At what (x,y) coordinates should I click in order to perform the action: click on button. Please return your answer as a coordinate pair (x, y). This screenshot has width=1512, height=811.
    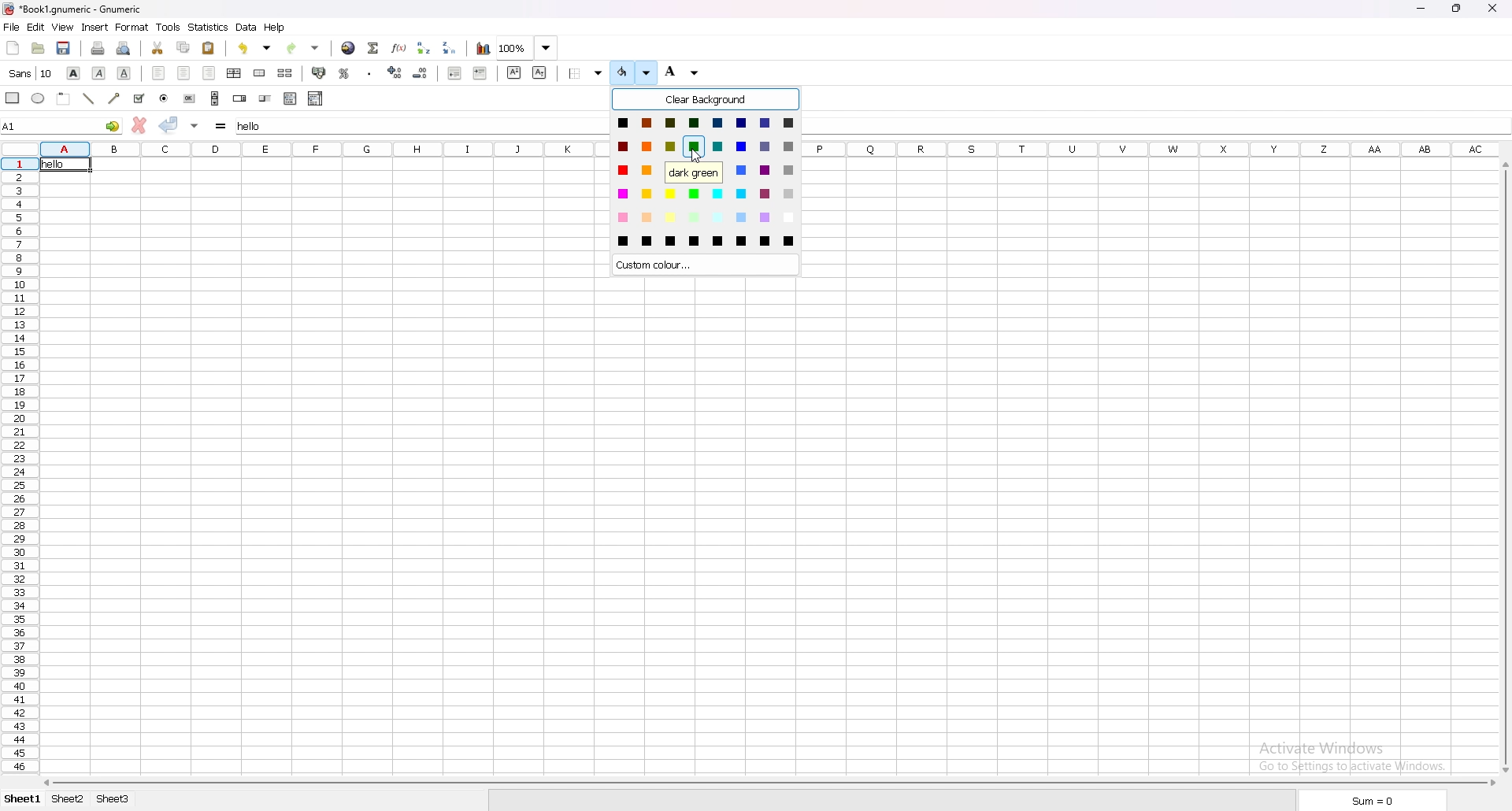
    Looking at the image, I should click on (190, 98).